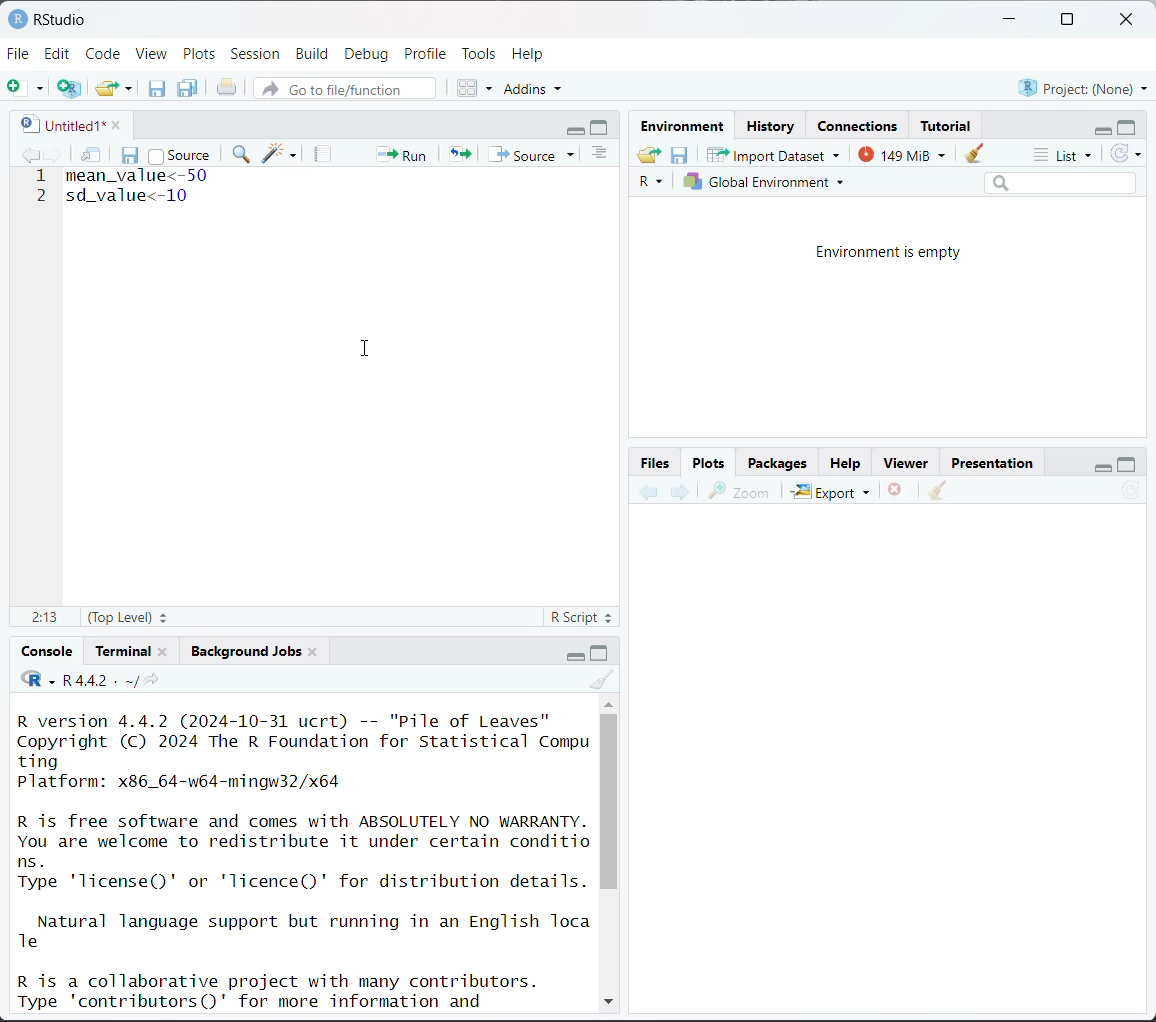 Image resolution: width=1156 pixels, height=1022 pixels. I want to click on , so click(657, 462).